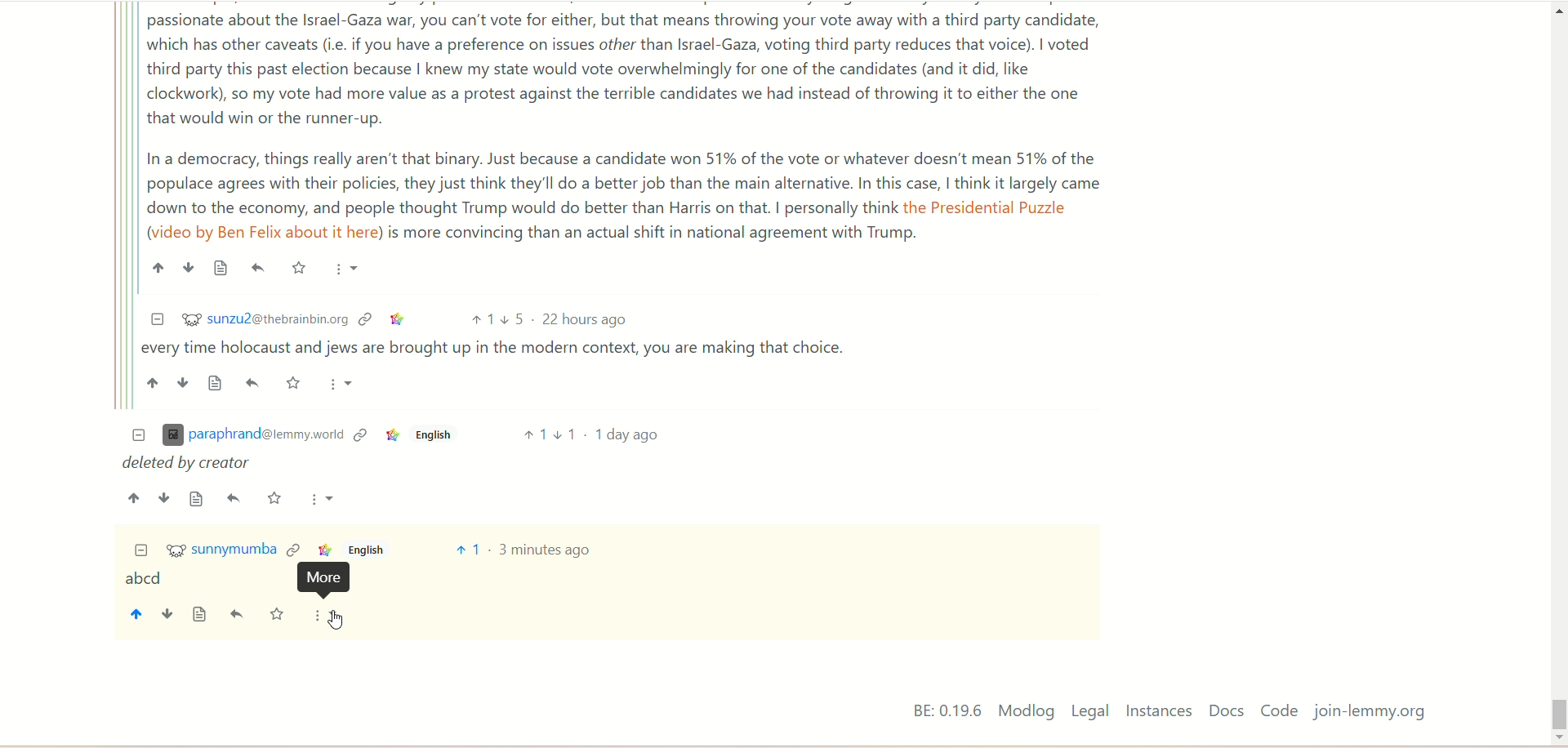 Image resolution: width=1568 pixels, height=748 pixels. What do you see at coordinates (295, 383) in the screenshot?
I see `Starred` at bounding box center [295, 383].